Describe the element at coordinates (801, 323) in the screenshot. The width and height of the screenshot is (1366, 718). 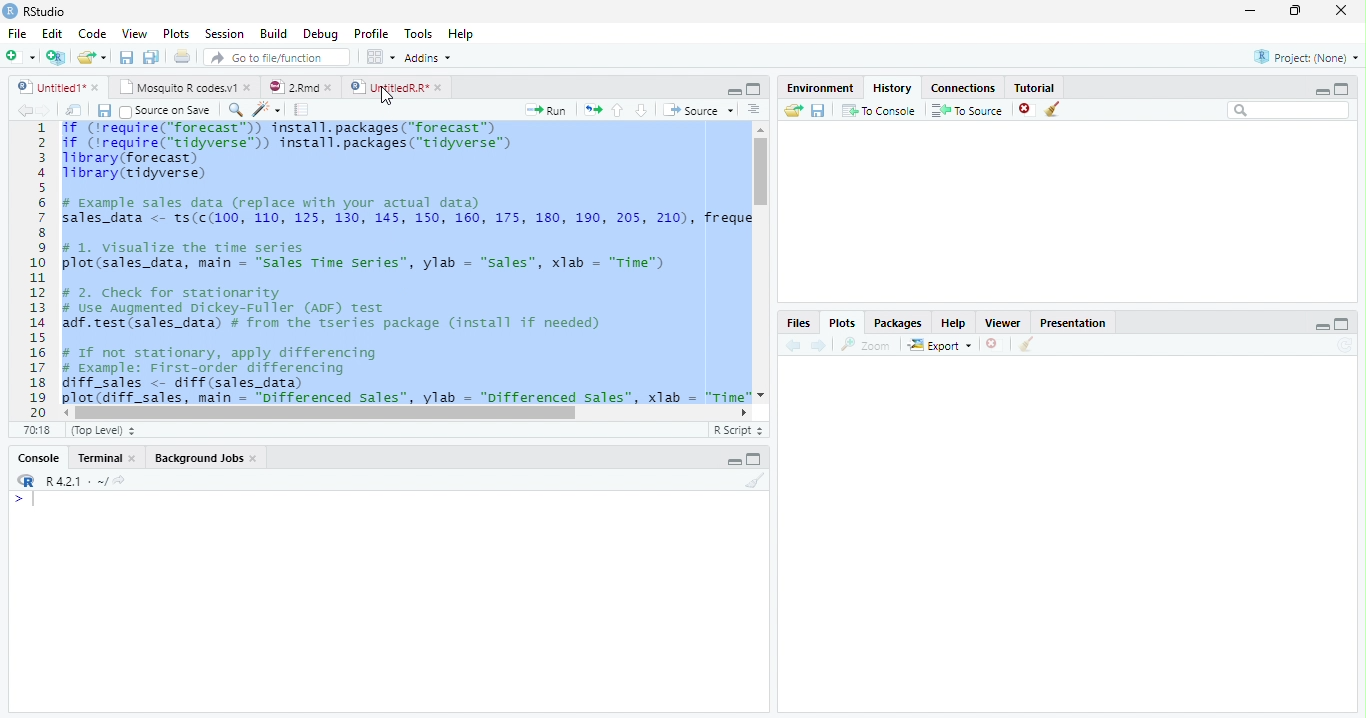
I see `Files` at that location.